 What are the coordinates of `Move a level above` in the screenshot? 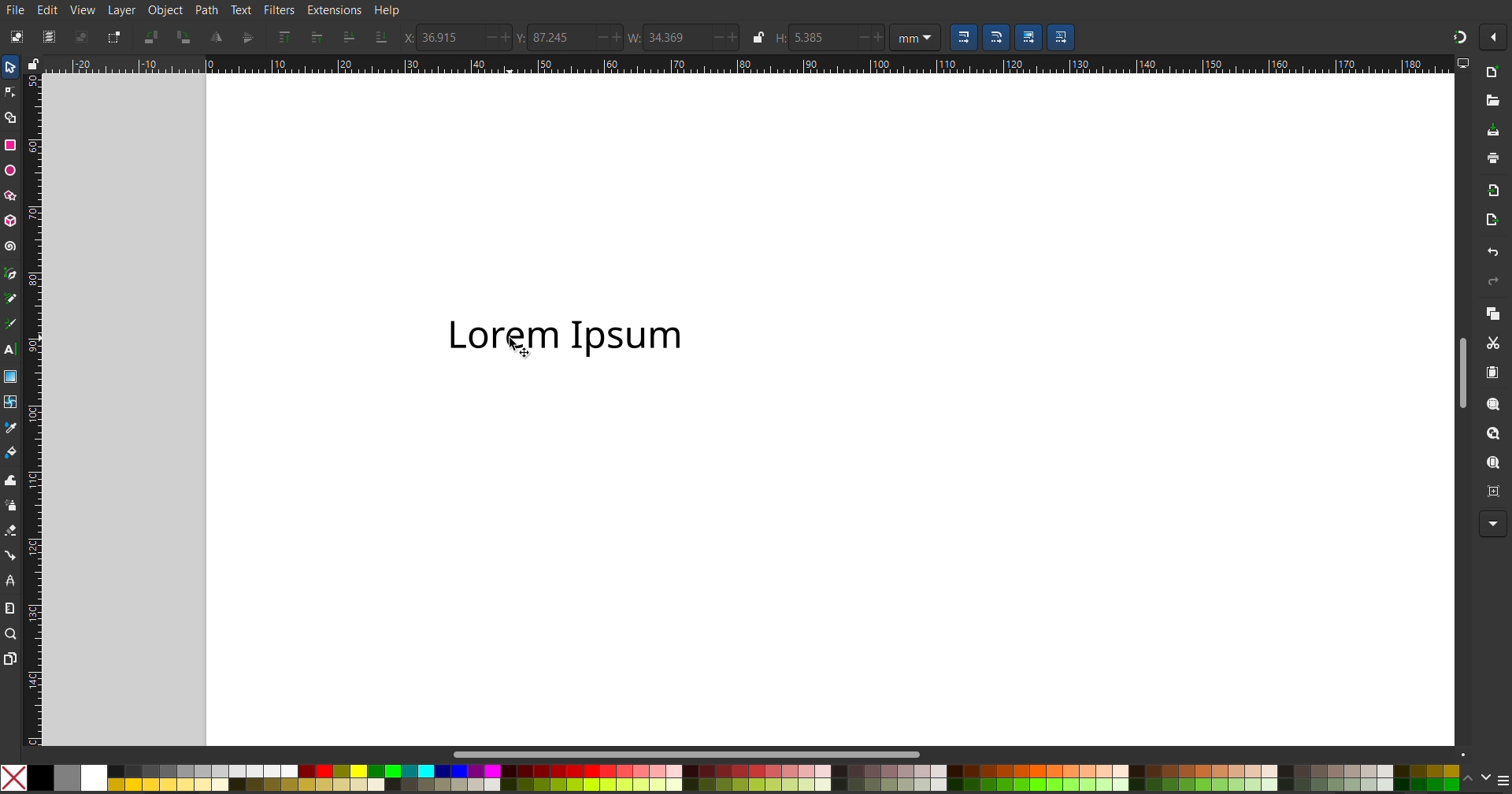 It's located at (316, 39).